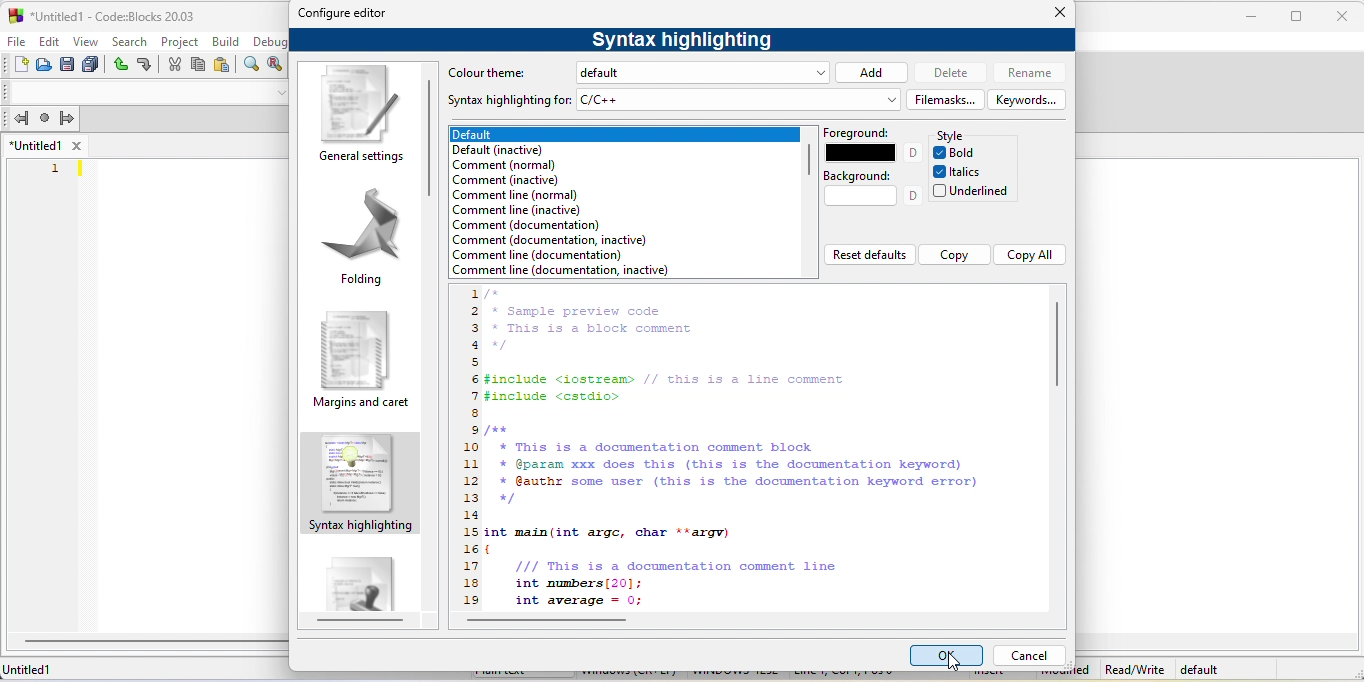 This screenshot has width=1364, height=682. Describe the element at coordinates (505, 180) in the screenshot. I see `comment inactive` at that location.